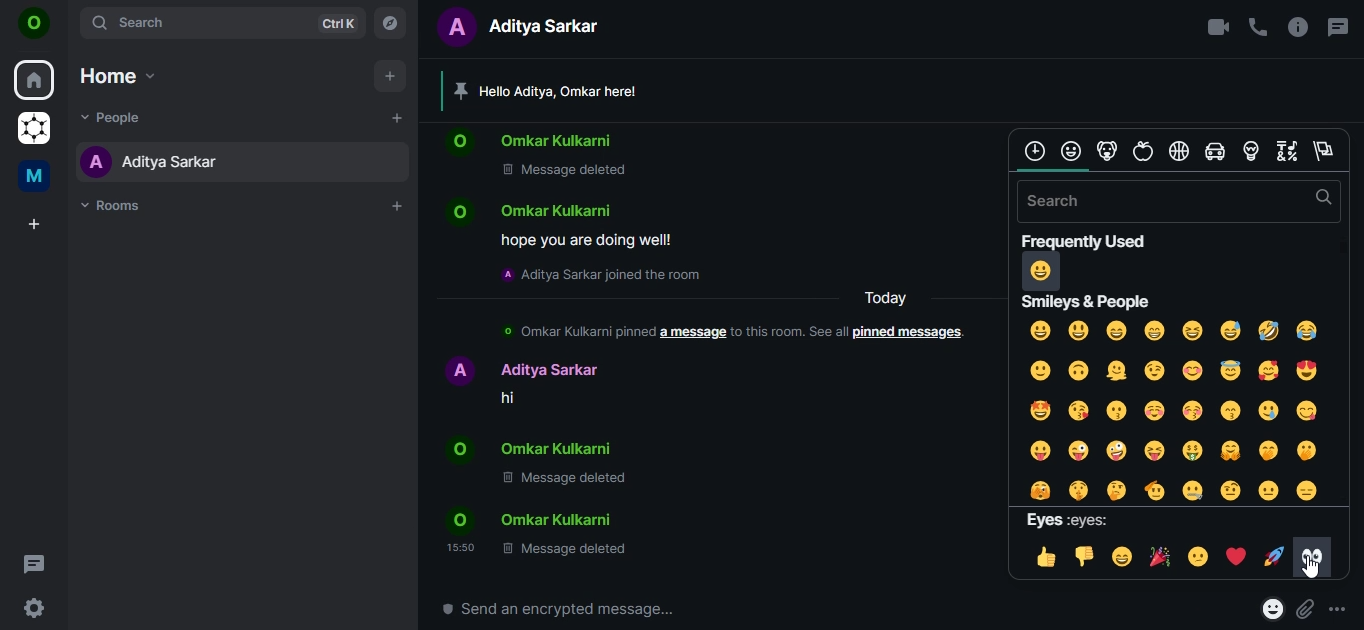  Describe the element at coordinates (1085, 557) in the screenshot. I see `thumbs down` at that location.